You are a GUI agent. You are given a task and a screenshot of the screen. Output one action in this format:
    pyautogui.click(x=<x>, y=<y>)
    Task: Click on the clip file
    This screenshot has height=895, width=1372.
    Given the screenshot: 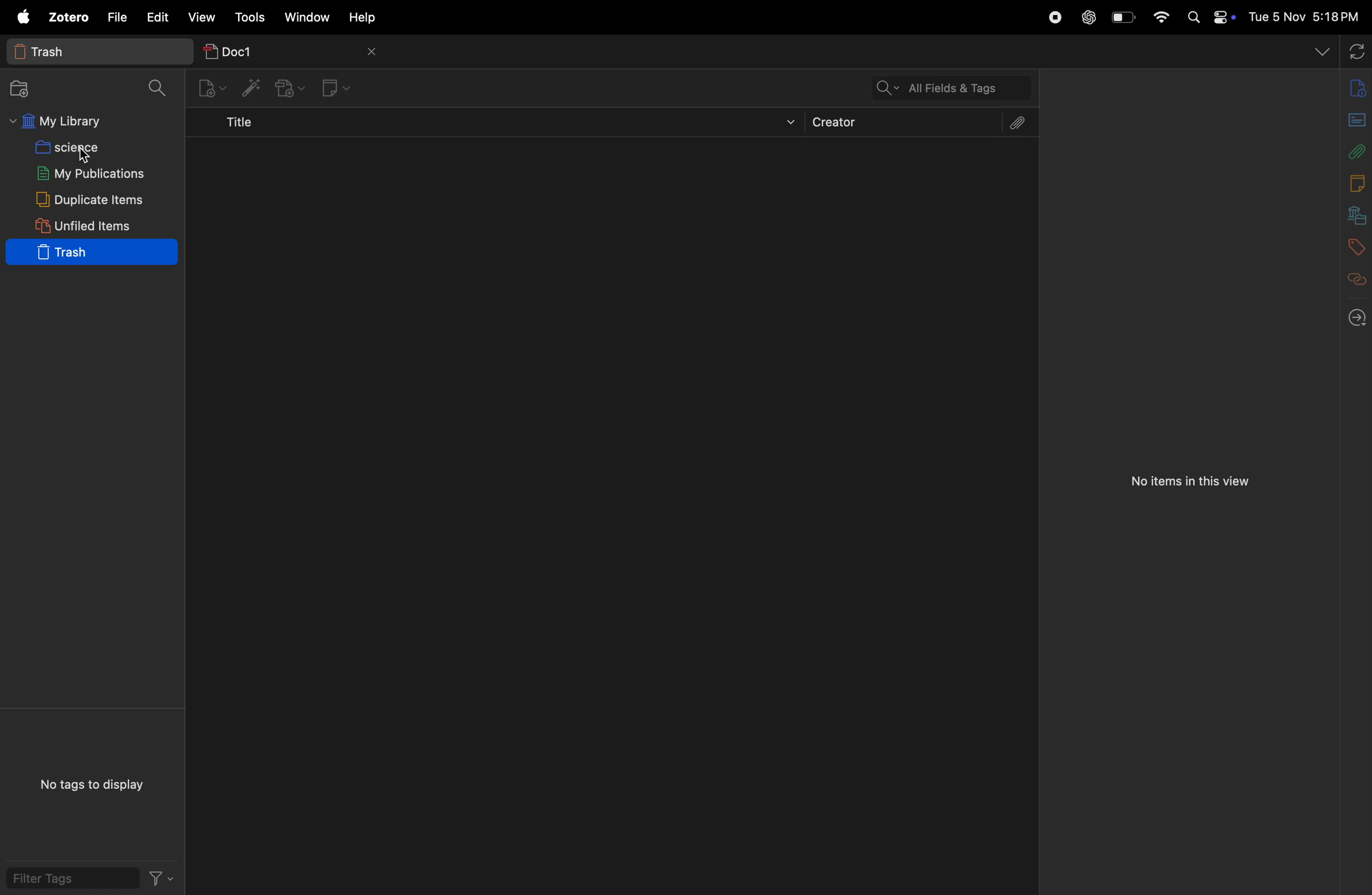 What is the action you would take?
    pyautogui.click(x=1354, y=152)
    